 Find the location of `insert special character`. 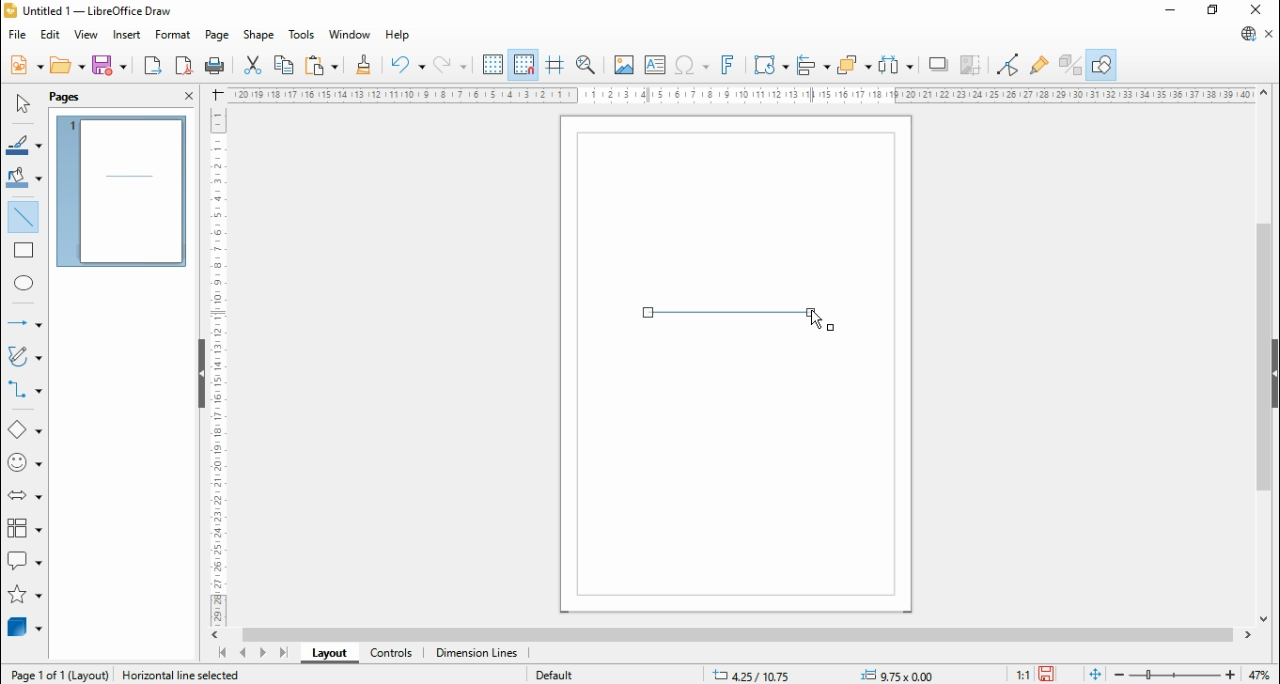

insert special character is located at coordinates (690, 65).